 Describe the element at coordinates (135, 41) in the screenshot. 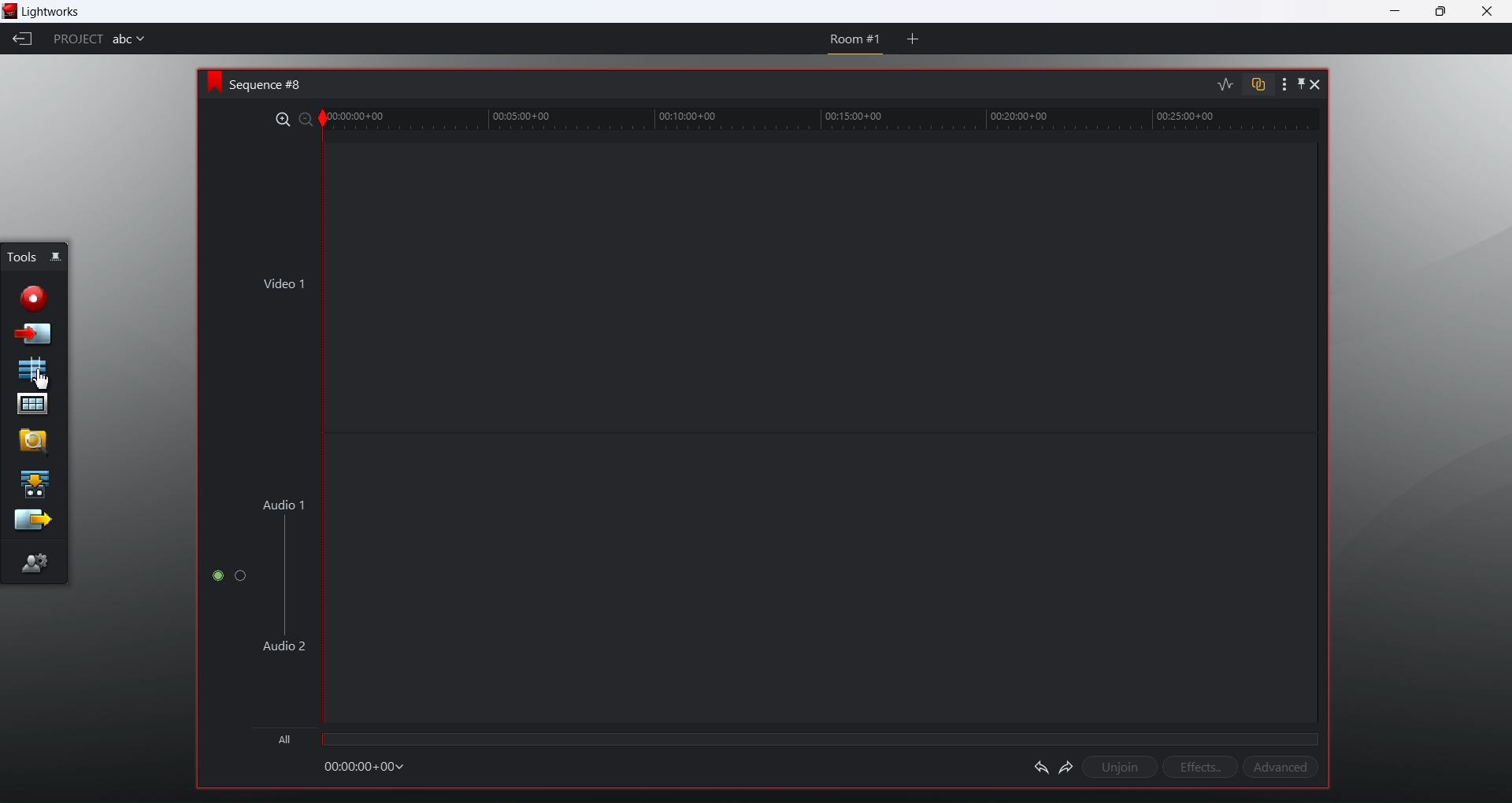

I see `project name` at that location.